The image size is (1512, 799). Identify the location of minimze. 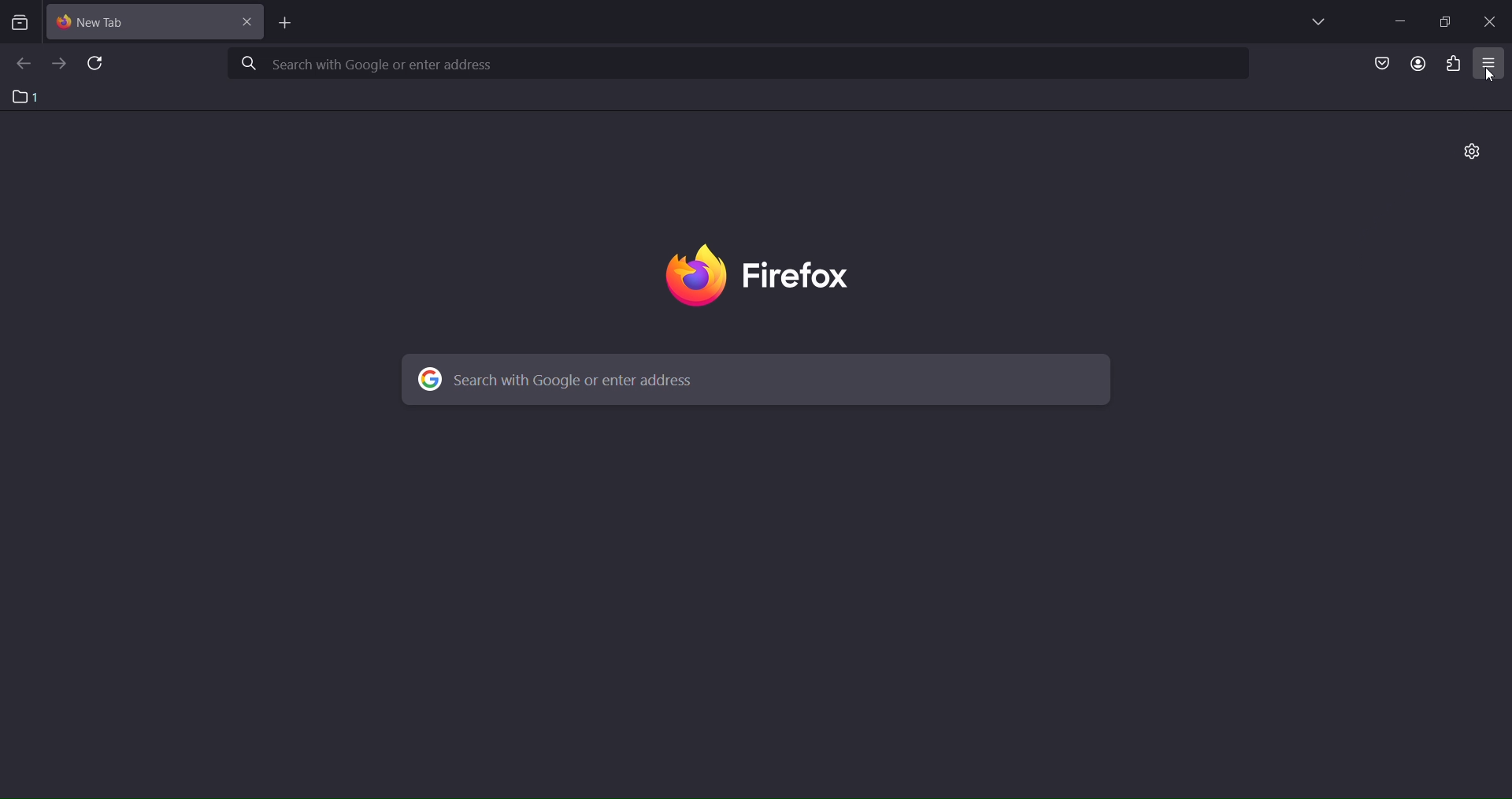
(1404, 22).